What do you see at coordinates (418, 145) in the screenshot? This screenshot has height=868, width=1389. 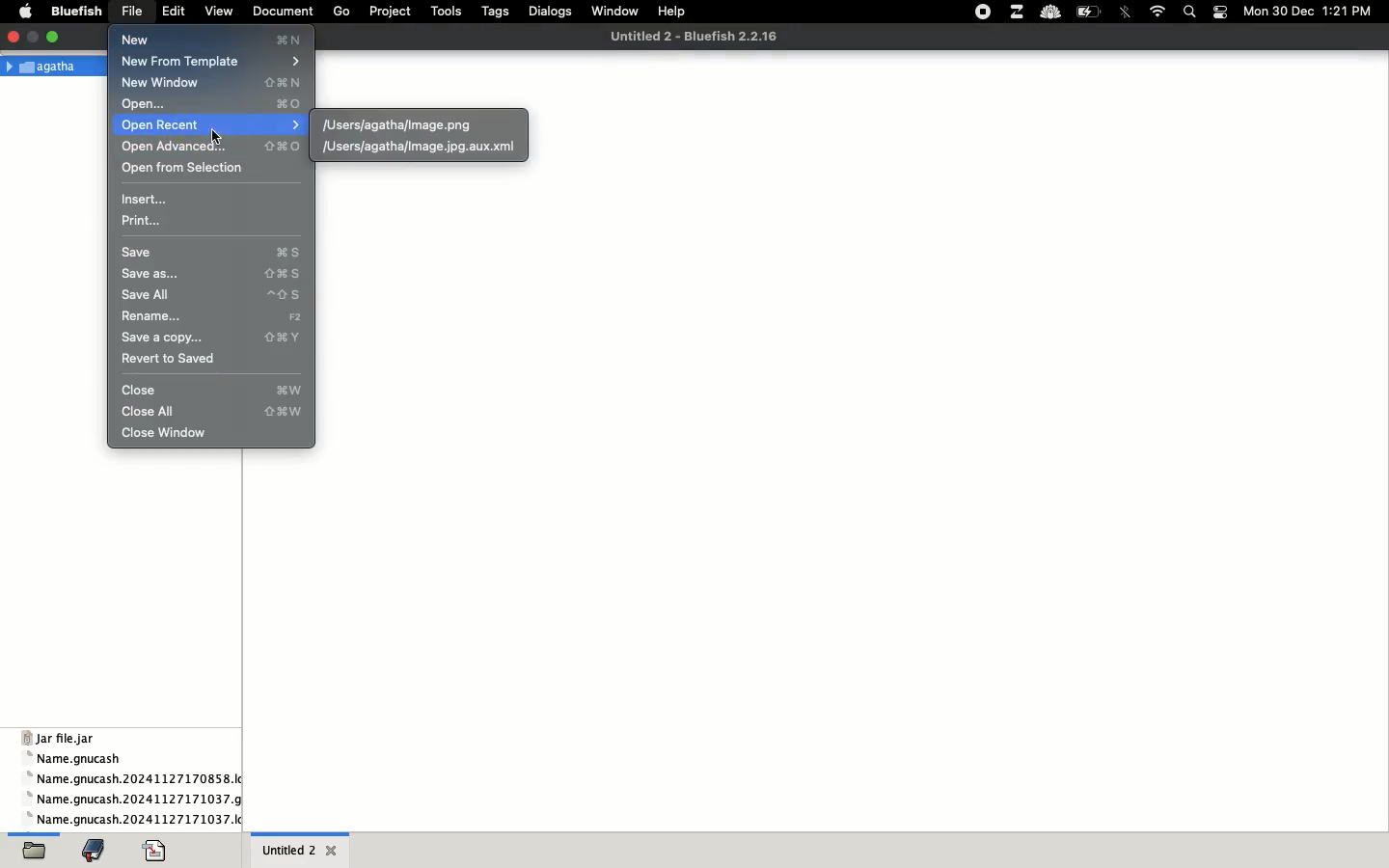 I see `xml` at bounding box center [418, 145].